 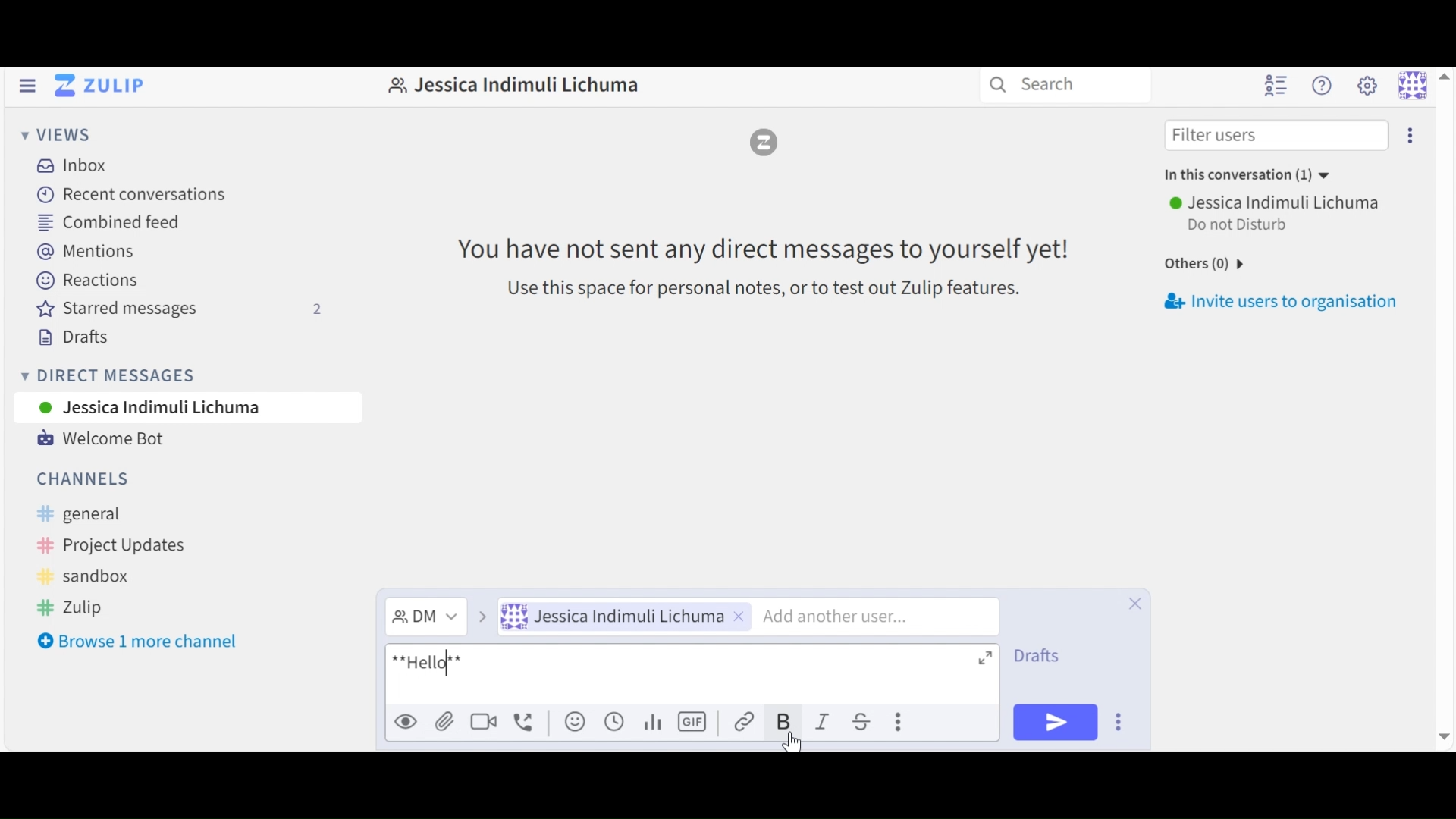 I want to click on Zulip, so click(x=69, y=607).